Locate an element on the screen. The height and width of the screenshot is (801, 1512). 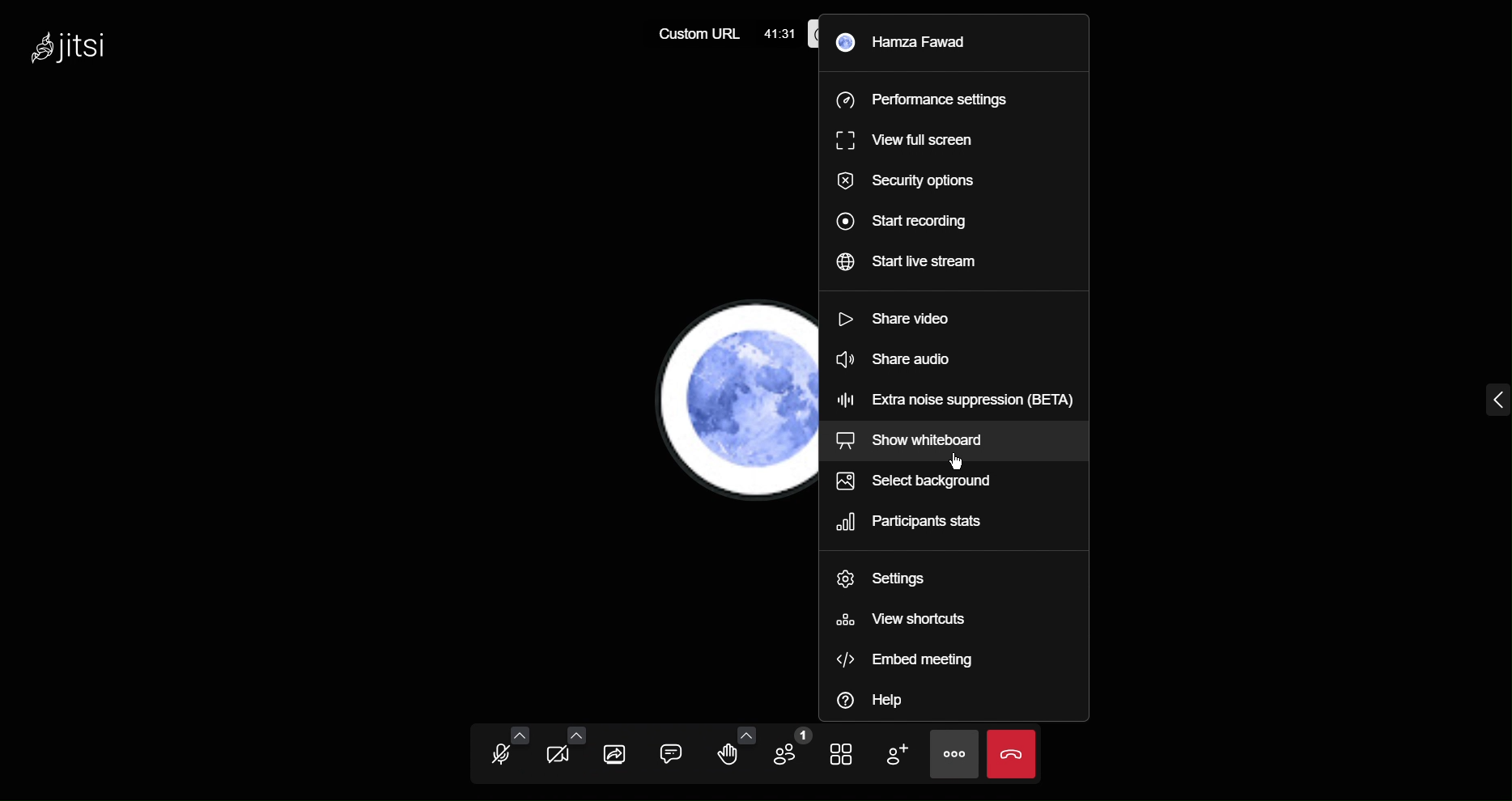
Video is located at coordinates (563, 752).